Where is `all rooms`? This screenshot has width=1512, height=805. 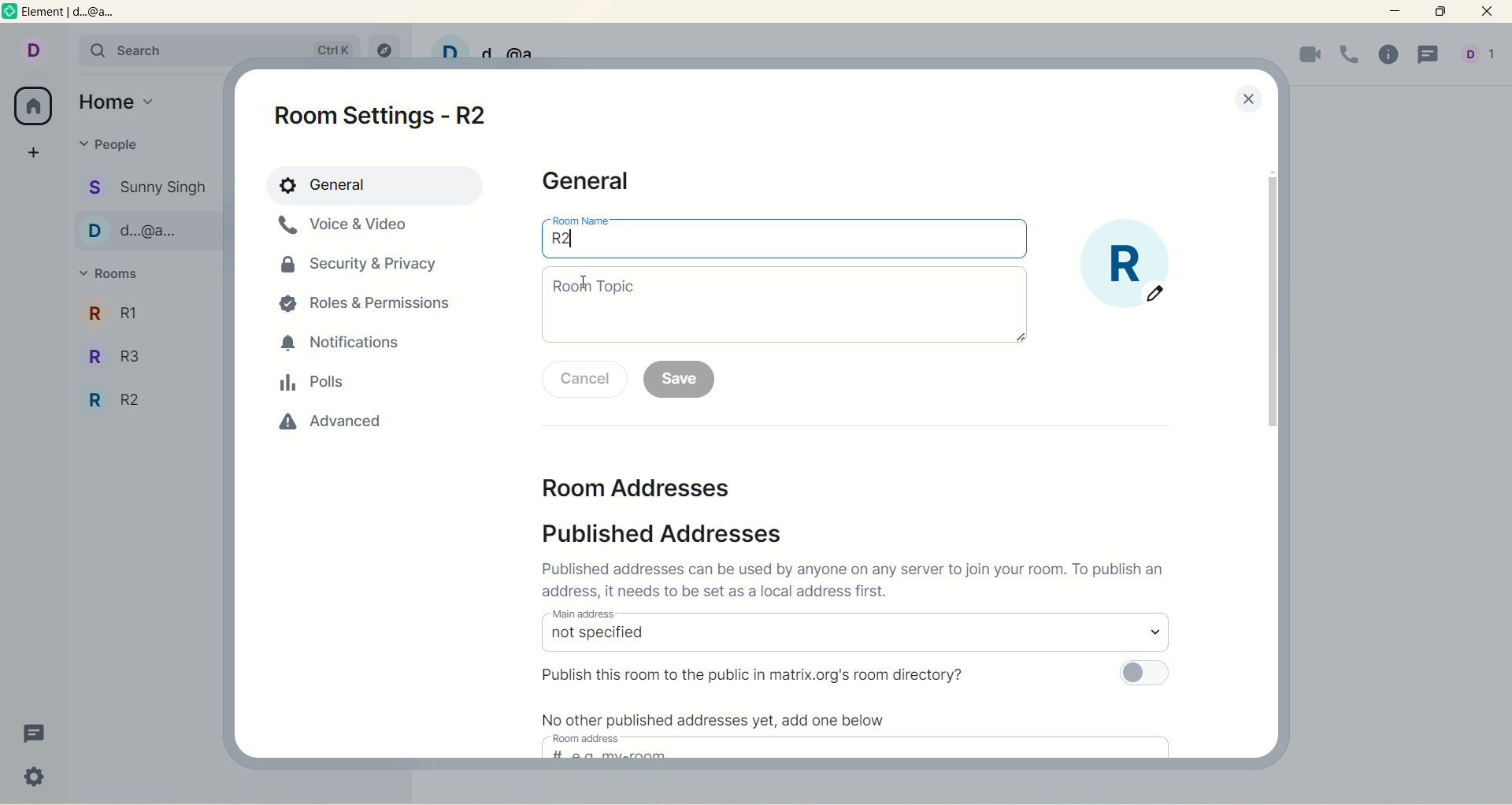 all rooms is located at coordinates (35, 106).